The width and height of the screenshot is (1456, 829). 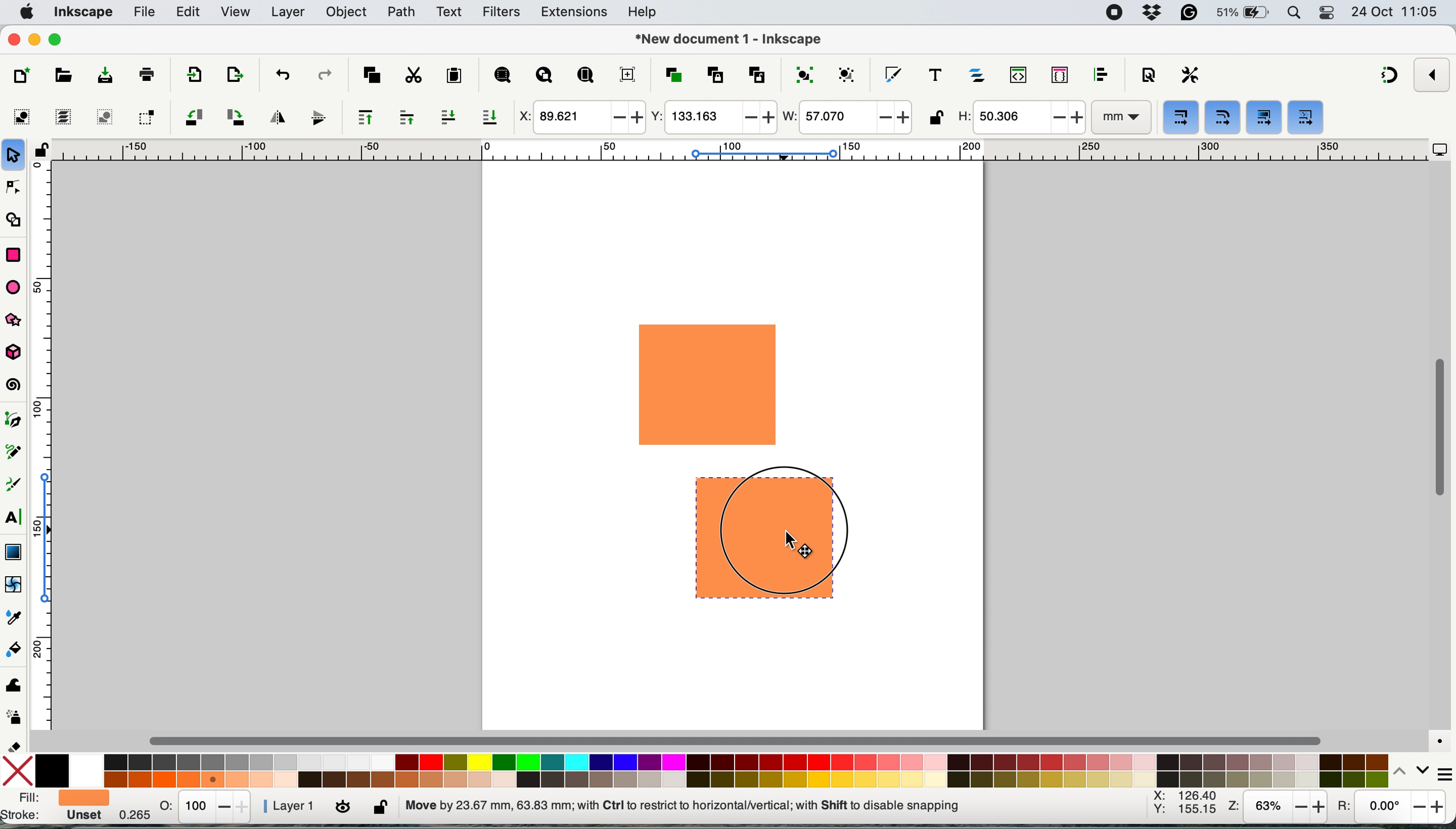 What do you see at coordinates (846, 118) in the screenshot?
I see `width` at bounding box center [846, 118].